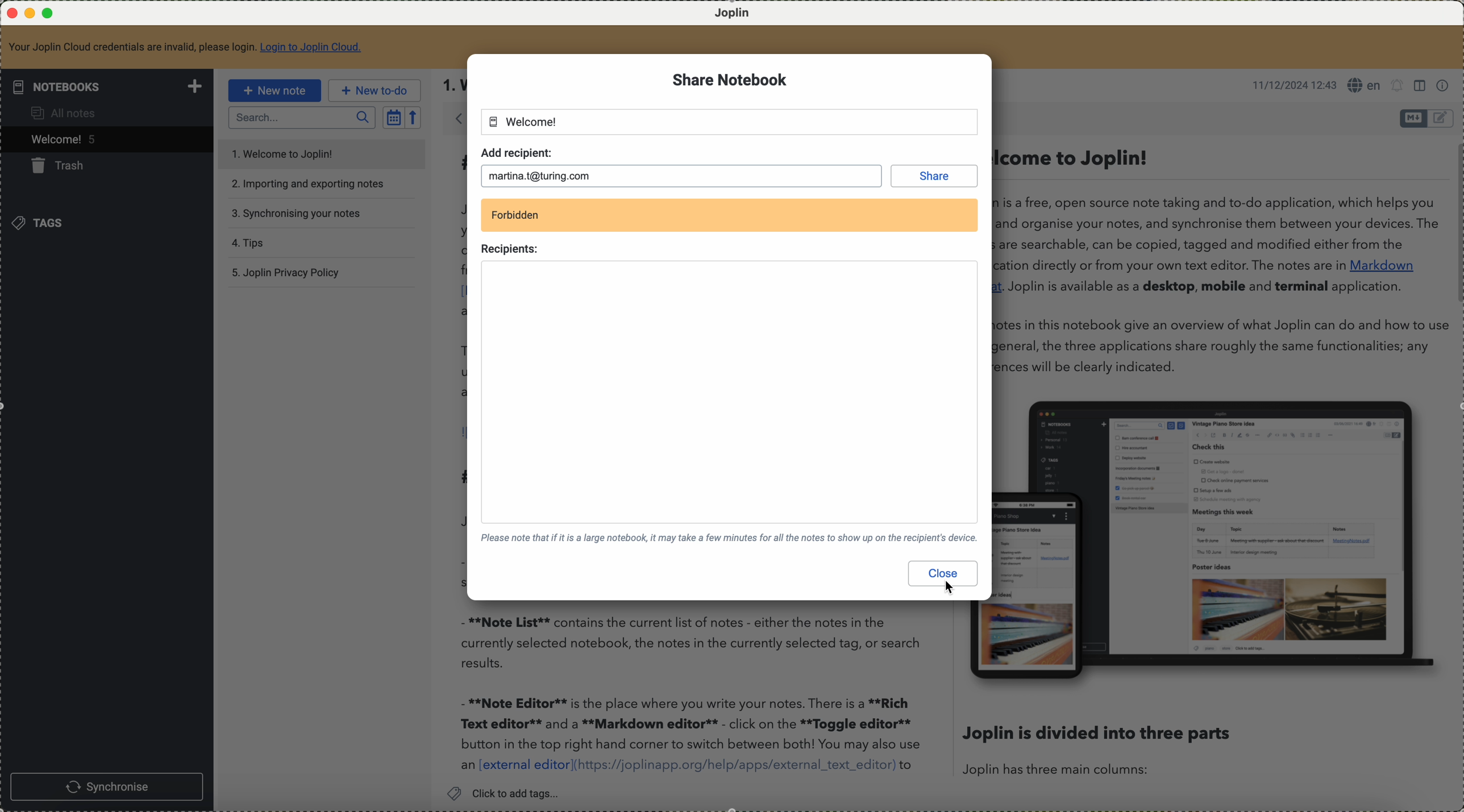 The image size is (1464, 812). I want to click on all notes, so click(62, 115).